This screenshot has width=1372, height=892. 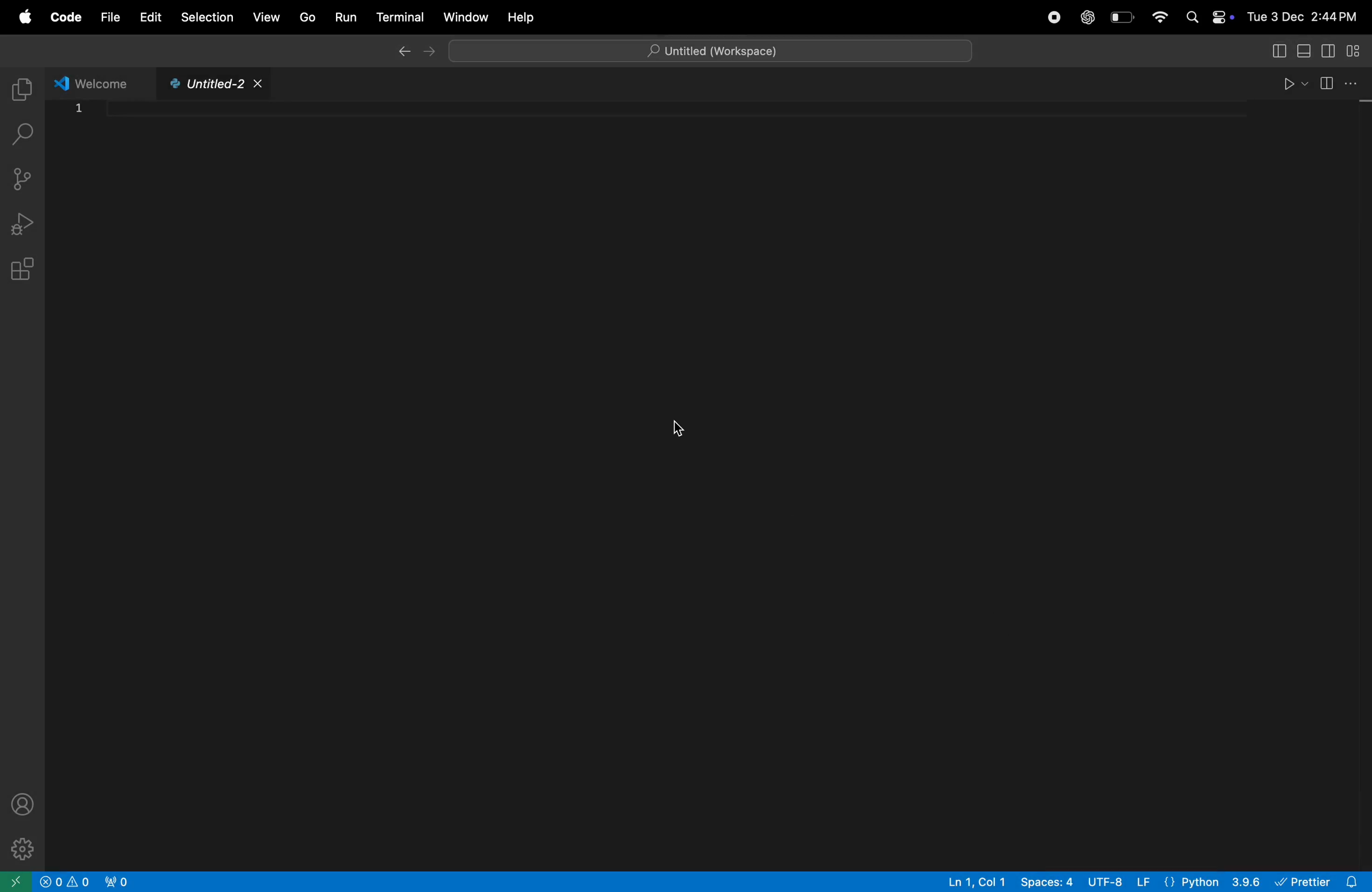 What do you see at coordinates (1306, 50) in the screenshot?
I see `toggle panel` at bounding box center [1306, 50].